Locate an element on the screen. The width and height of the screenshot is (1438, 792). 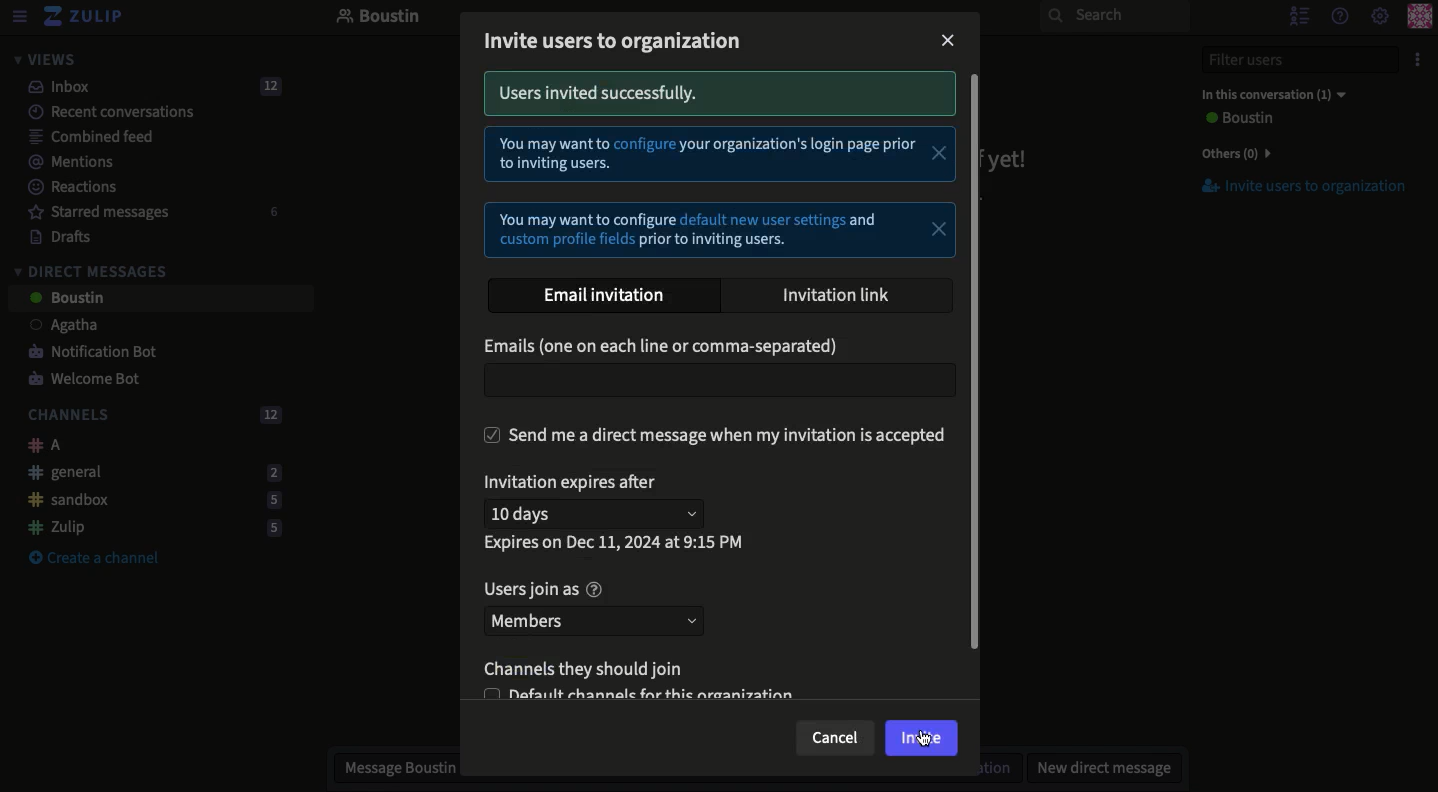
Channels they should join is located at coordinates (592, 669).